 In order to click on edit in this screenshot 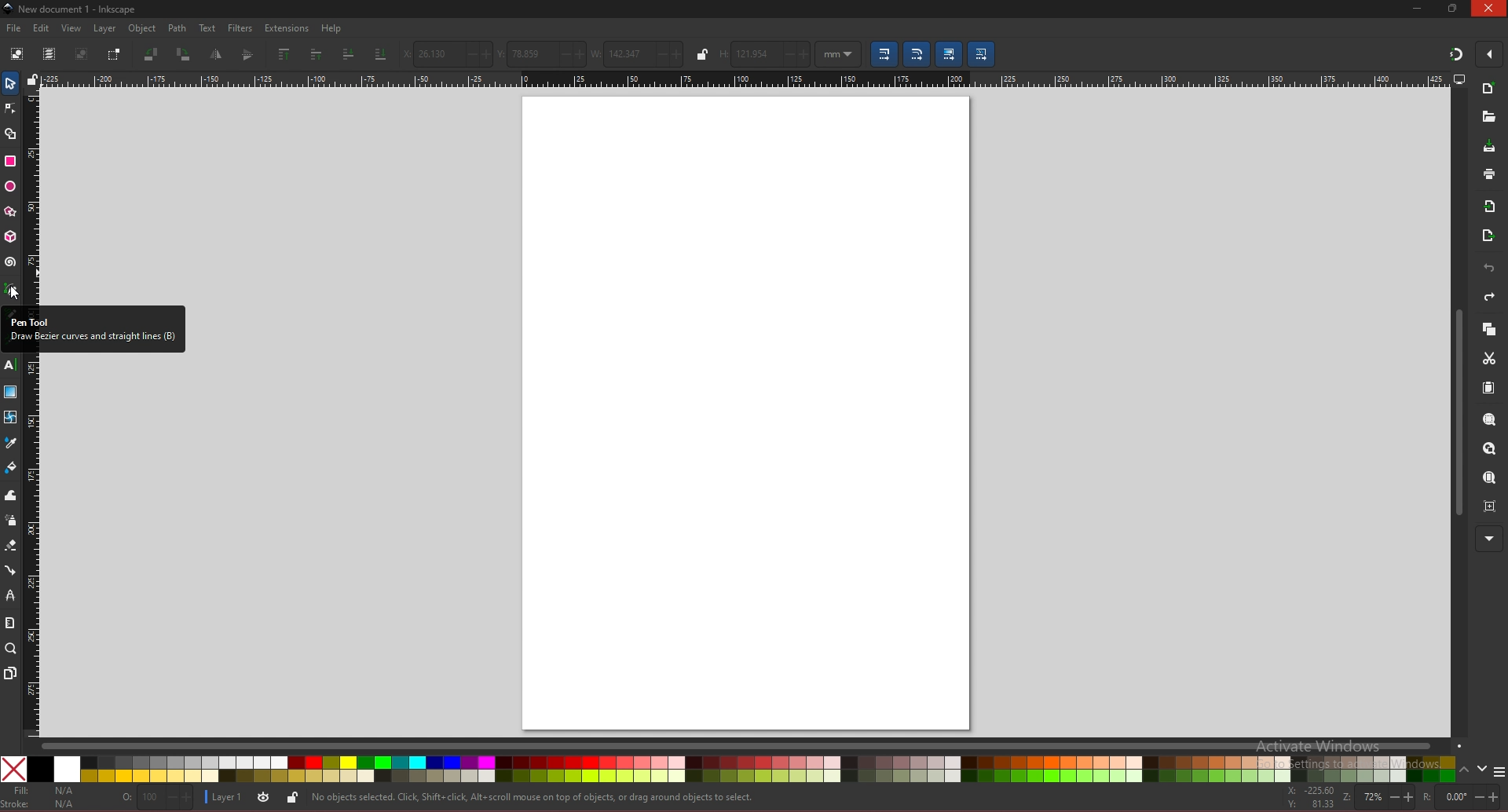, I will do `click(42, 27)`.